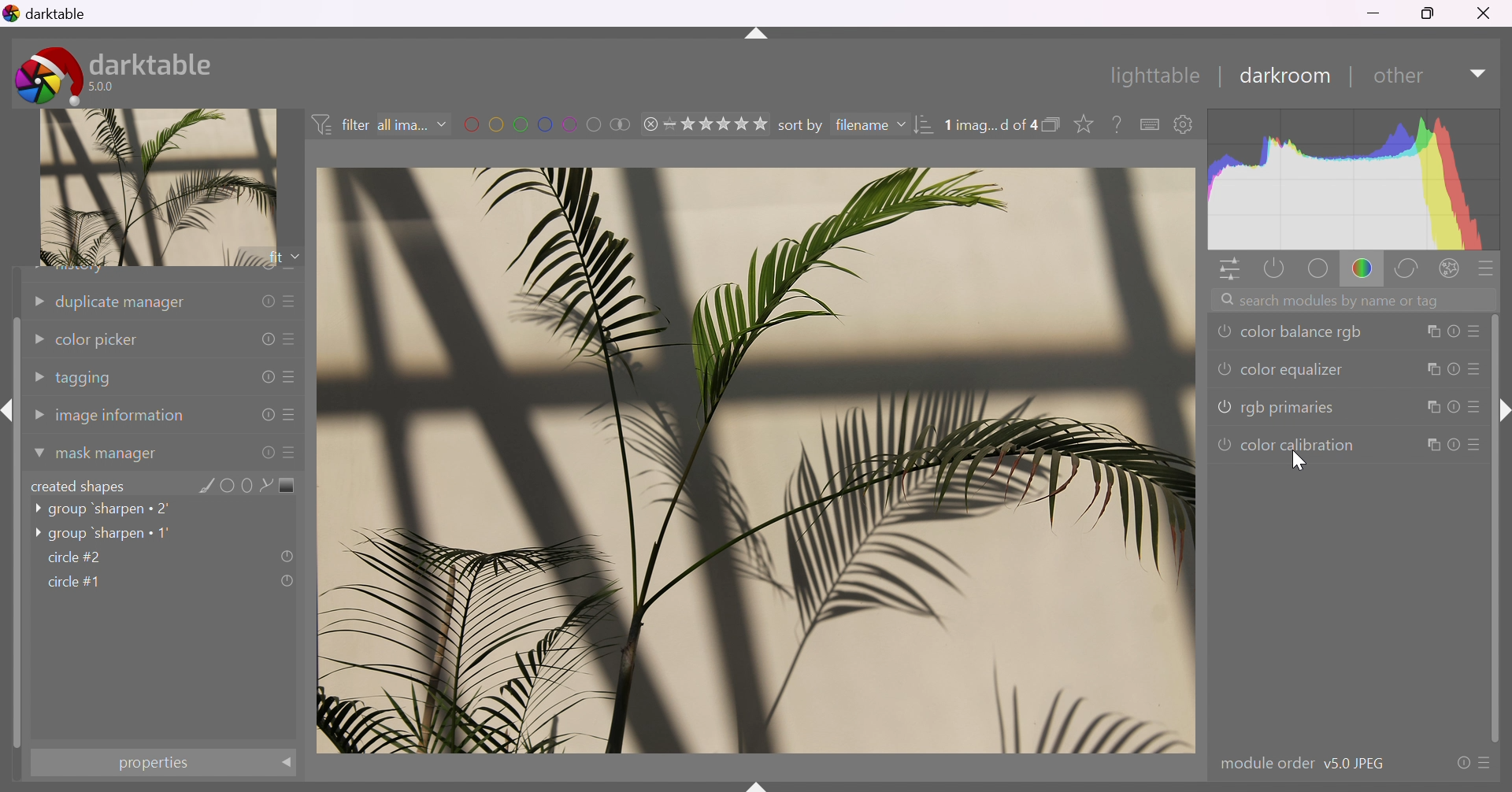  What do you see at coordinates (80, 489) in the screenshot?
I see `created shapes` at bounding box center [80, 489].